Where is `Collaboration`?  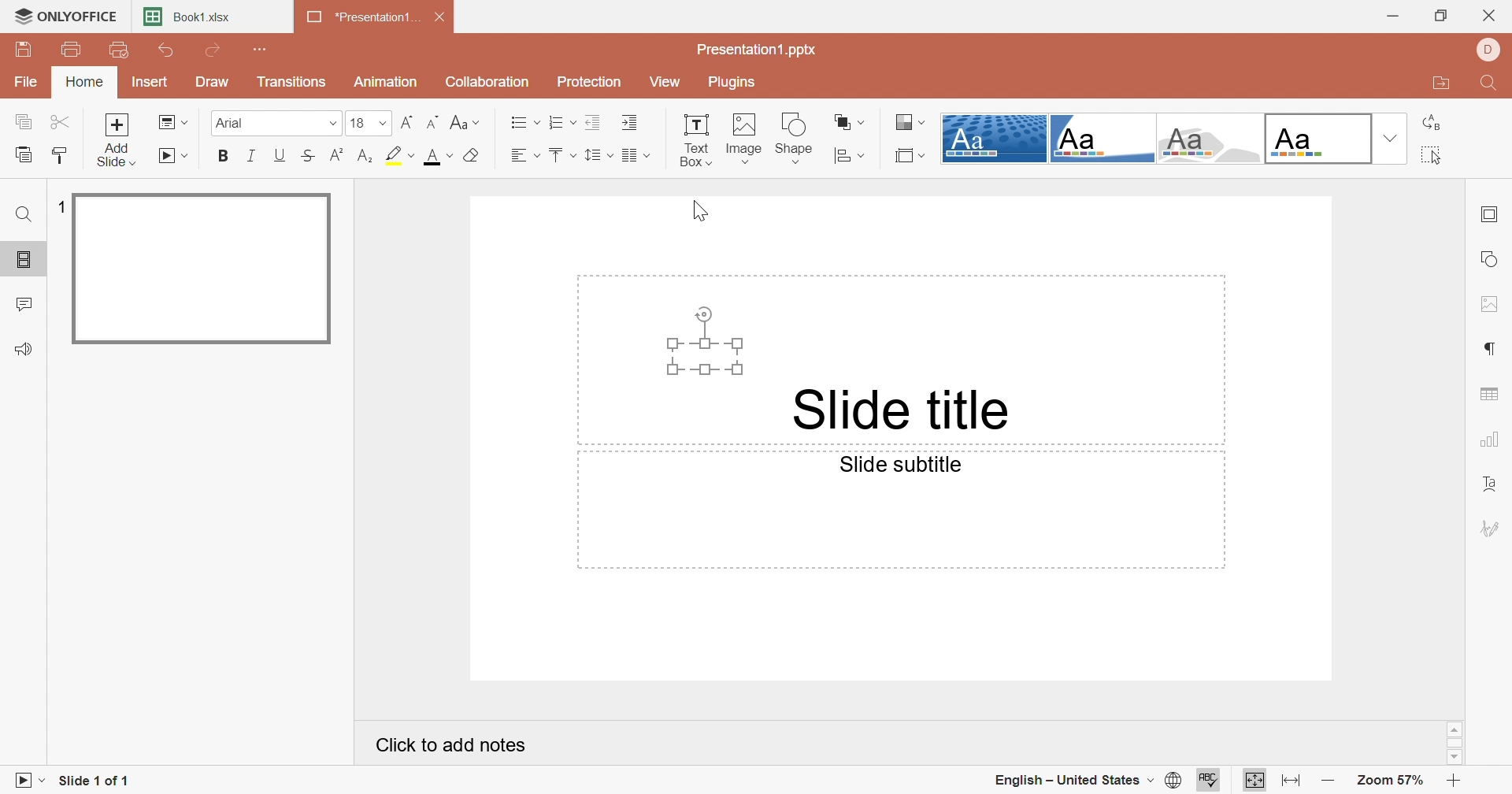 Collaboration is located at coordinates (487, 83).